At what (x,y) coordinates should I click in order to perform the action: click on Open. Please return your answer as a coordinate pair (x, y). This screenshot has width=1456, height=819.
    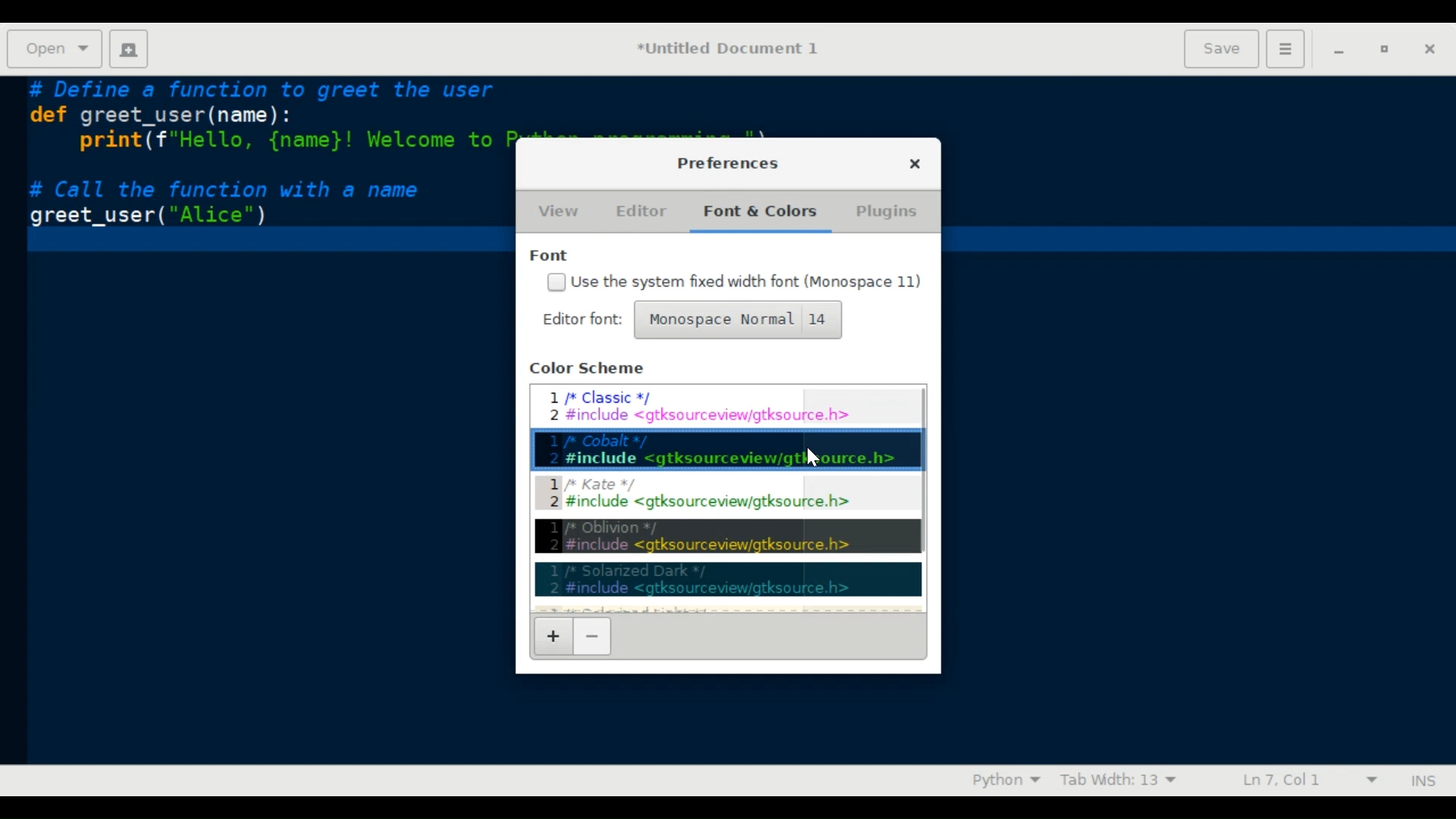
    Looking at the image, I should click on (54, 49).